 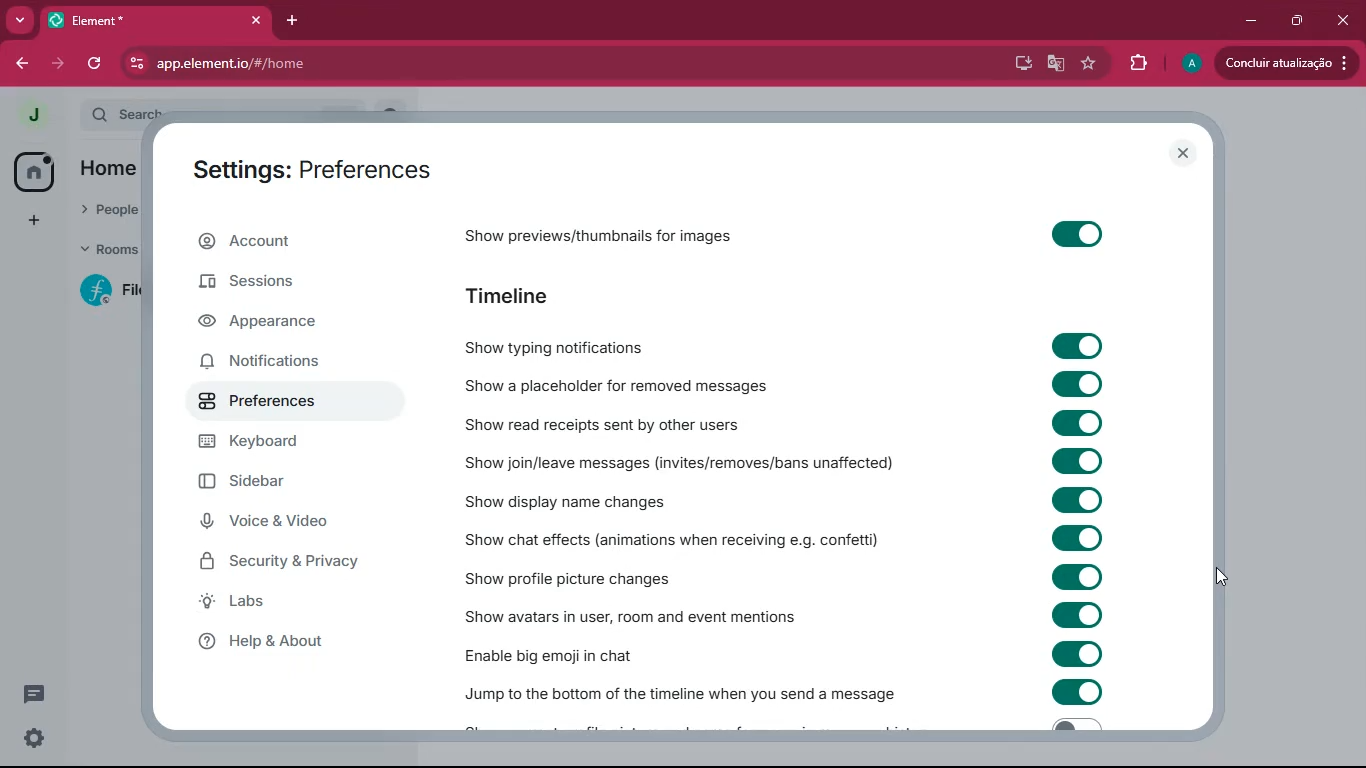 I want to click on people, so click(x=104, y=211).